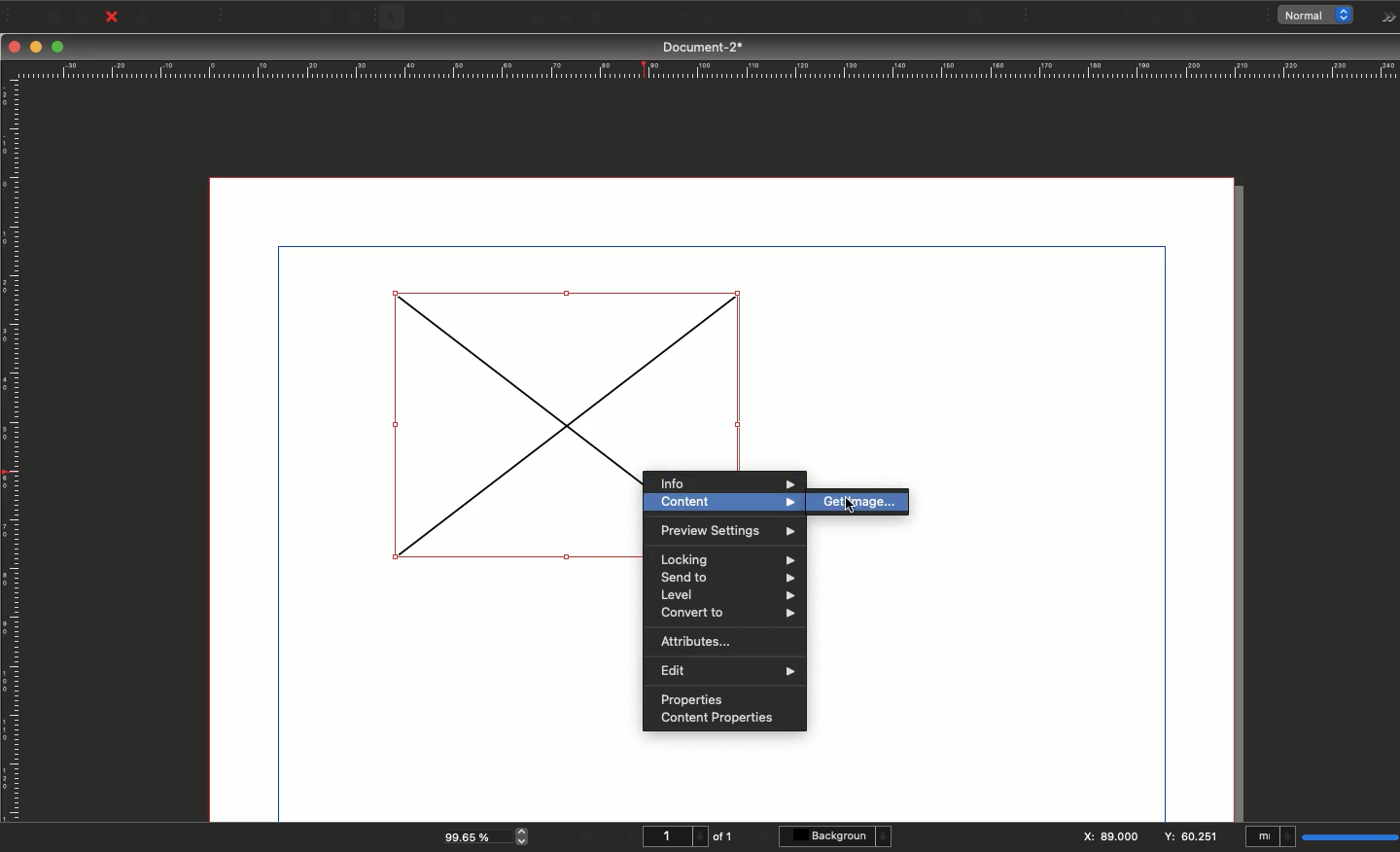 Image resolution: width=1400 pixels, height=852 pixels. I want to click on Attributes, so click(699, 640).